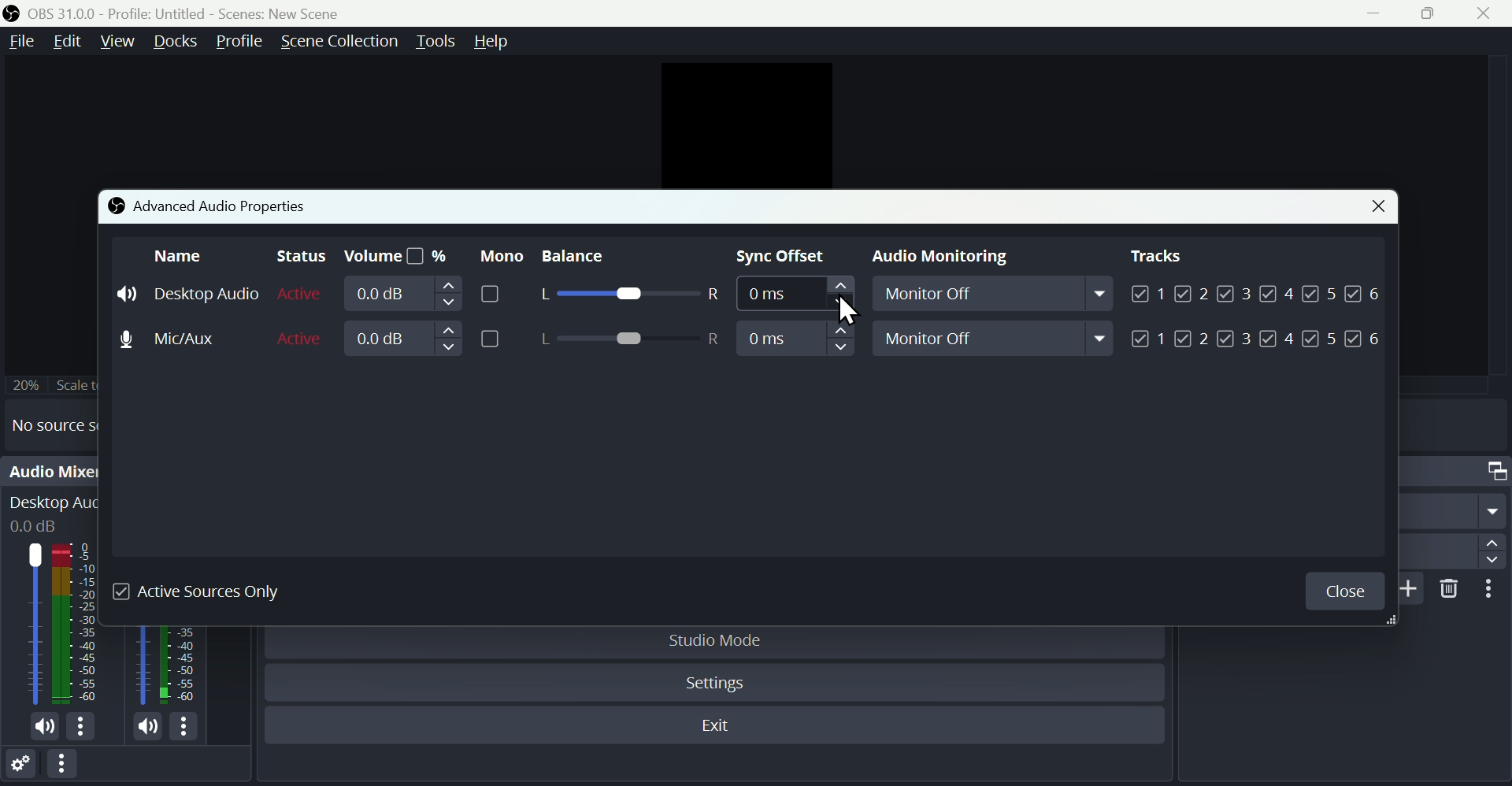 Image resolution: width=1512 pixels, height=786 pixels. I want to click on OBS 31.0 .0 profile: untitled Scene: New scene, so click(198, 13).